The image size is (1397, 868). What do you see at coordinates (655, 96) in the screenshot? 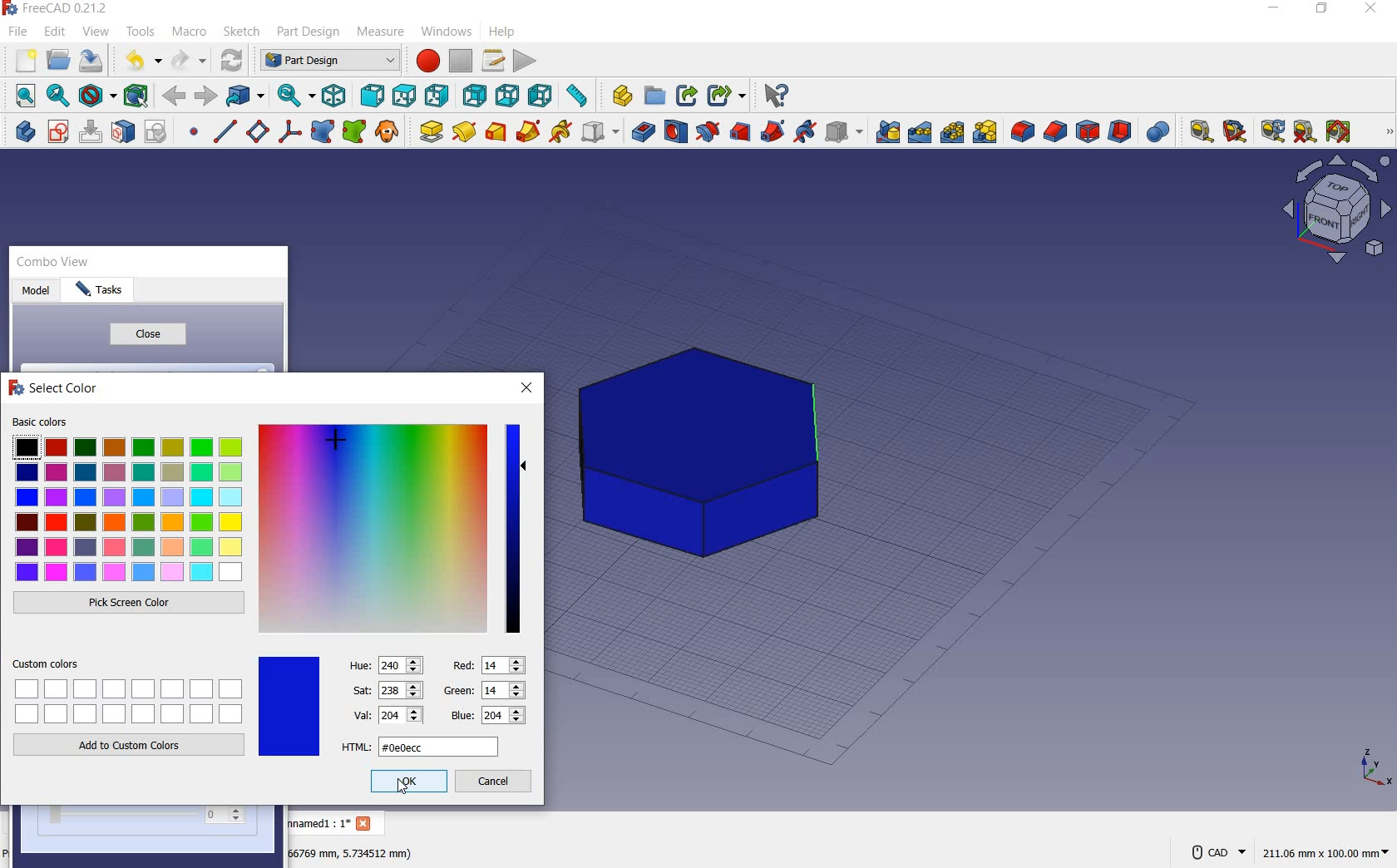
I see `create group` at bounding box center [655, 96].